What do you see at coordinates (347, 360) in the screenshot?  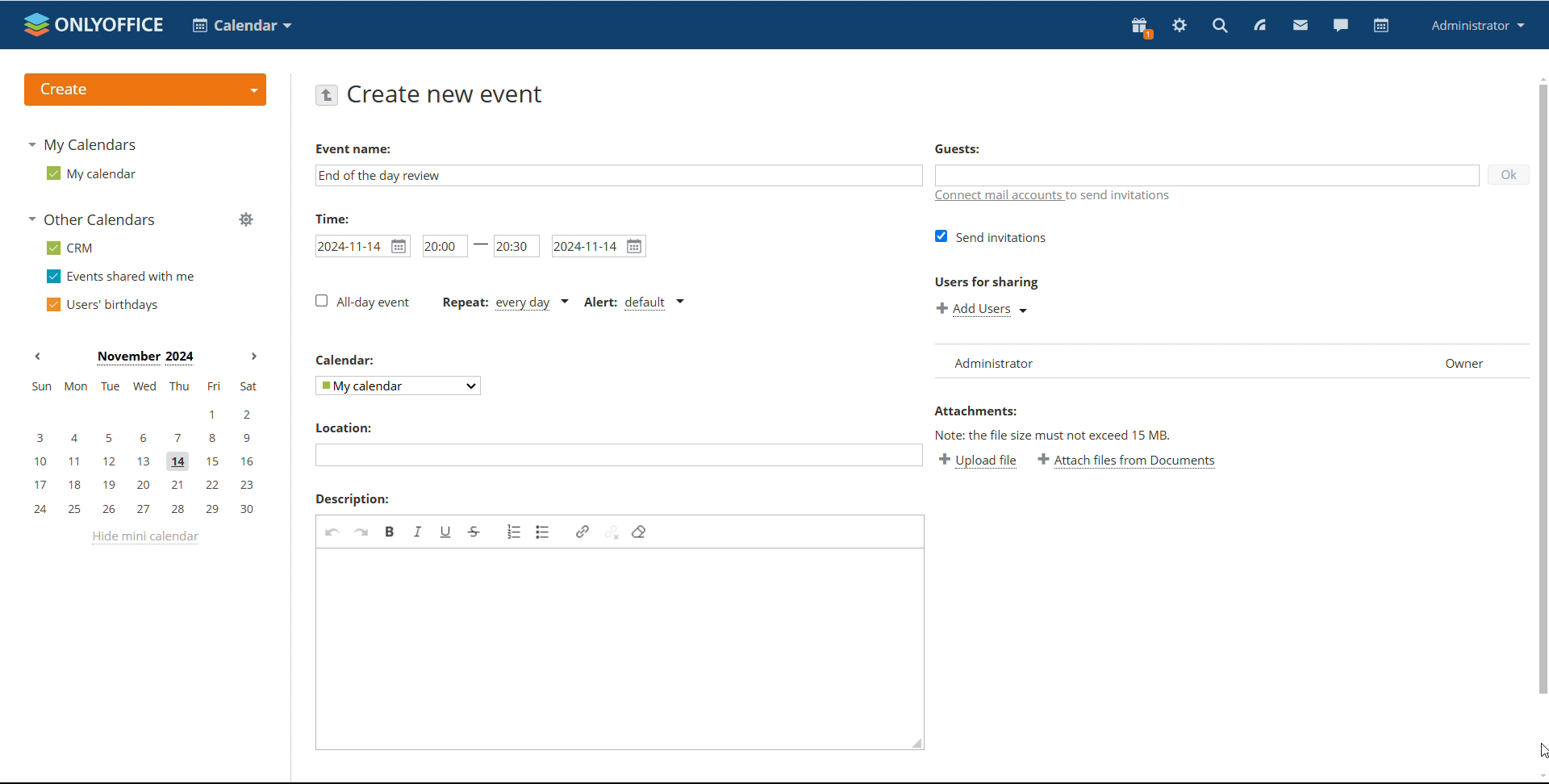 I see `calendar` at bounding box center [347, 360].